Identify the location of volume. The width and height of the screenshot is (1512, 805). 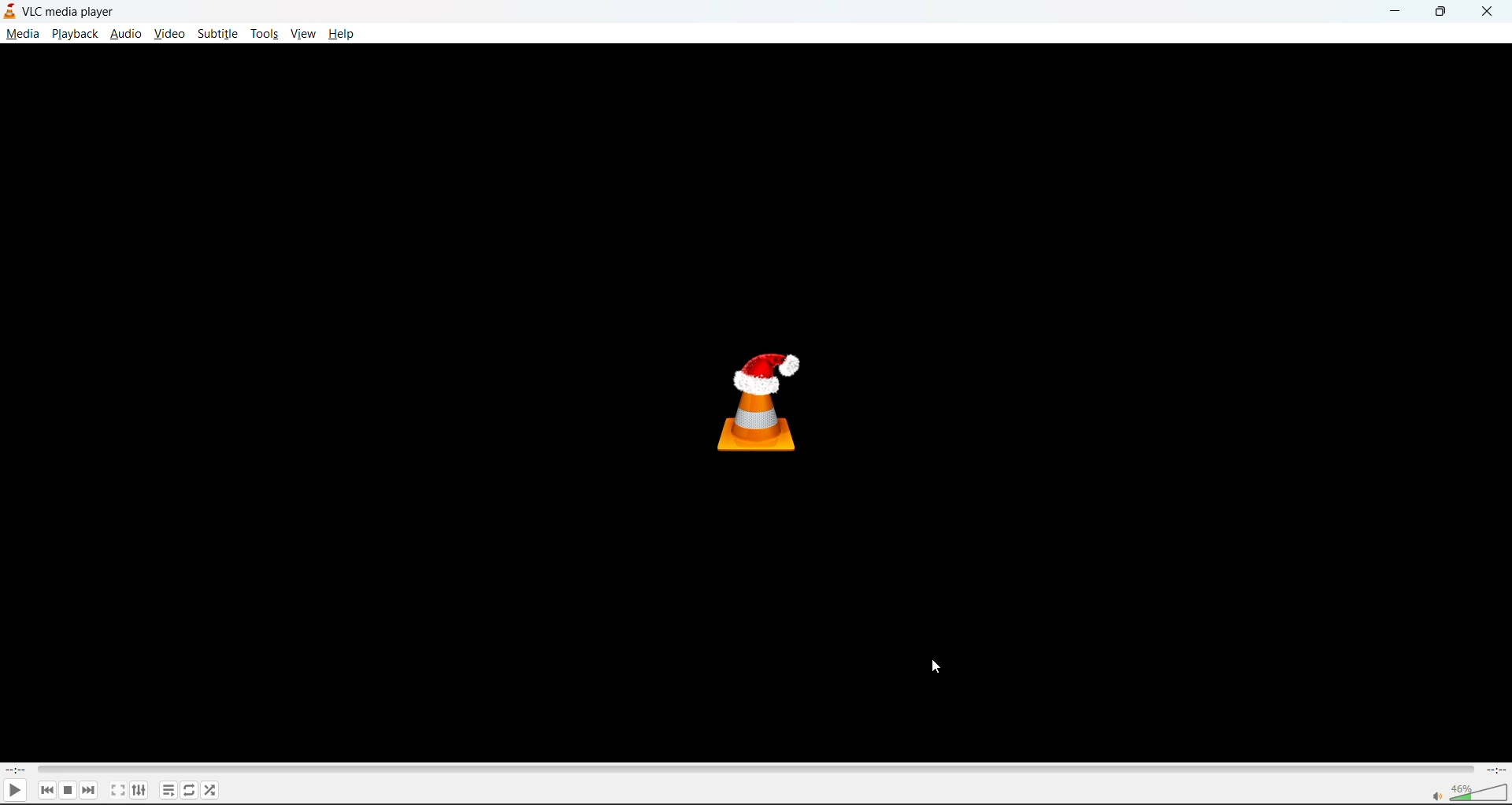
(1466, 792).